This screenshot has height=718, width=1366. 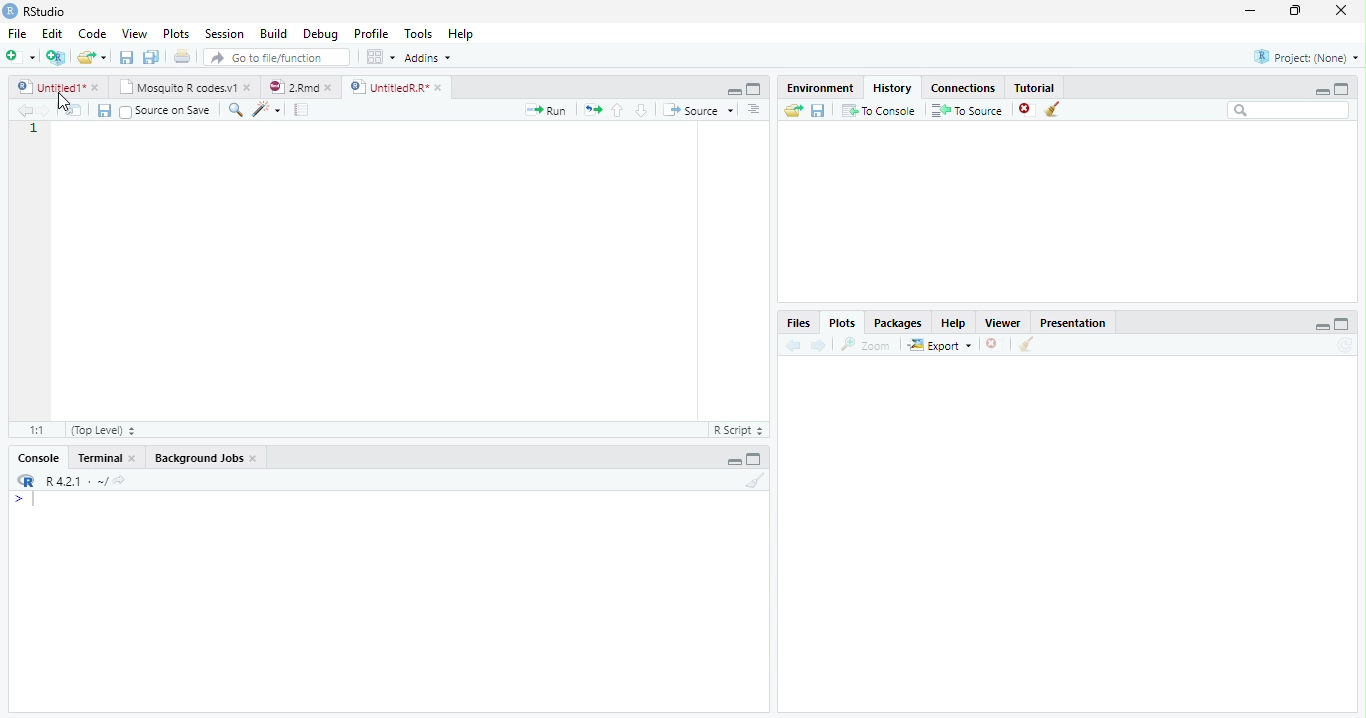 I want to click on View, so click(x=134, y=33).